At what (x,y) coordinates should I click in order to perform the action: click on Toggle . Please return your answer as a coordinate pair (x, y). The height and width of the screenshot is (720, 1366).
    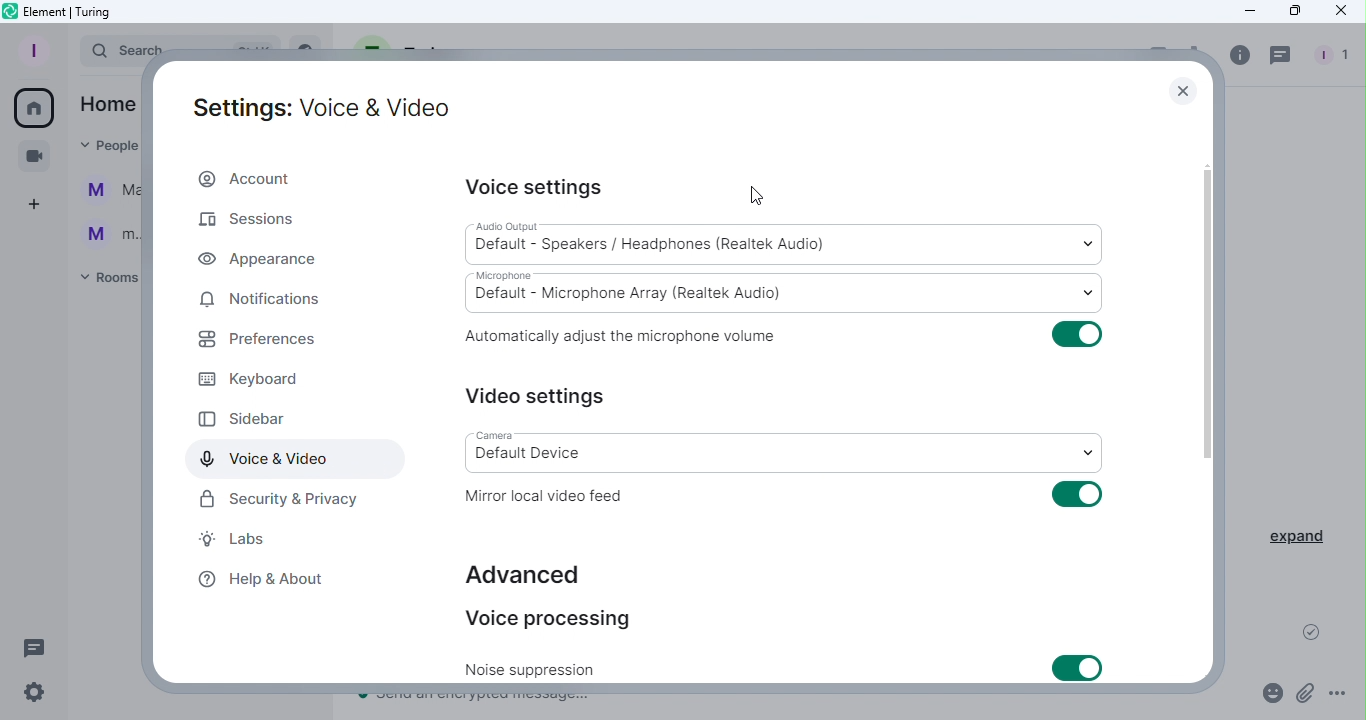
    Looking at the image, I should click on (1080, 497).